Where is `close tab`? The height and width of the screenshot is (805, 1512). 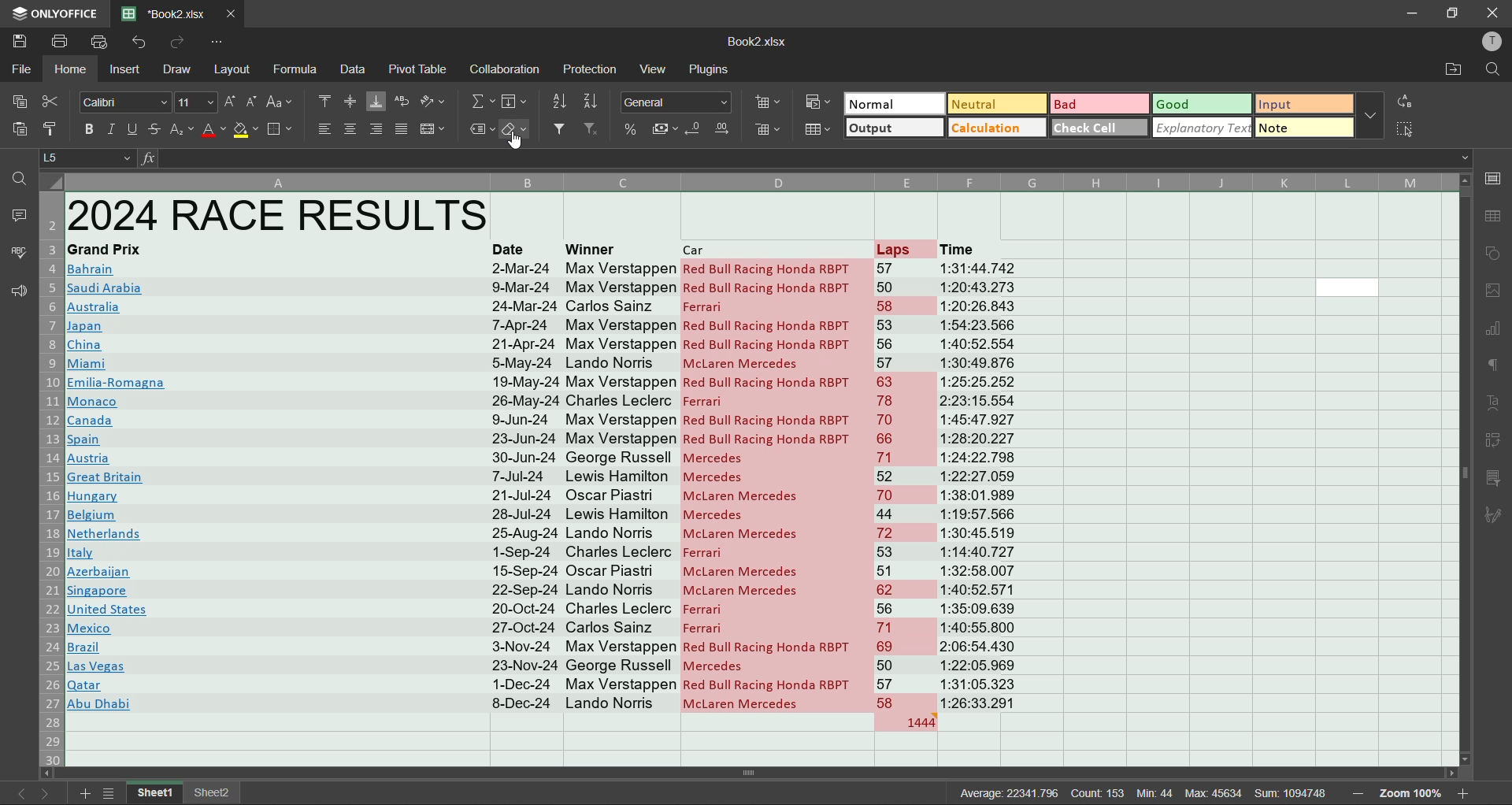
close tab is located at coordinates (233, 13).